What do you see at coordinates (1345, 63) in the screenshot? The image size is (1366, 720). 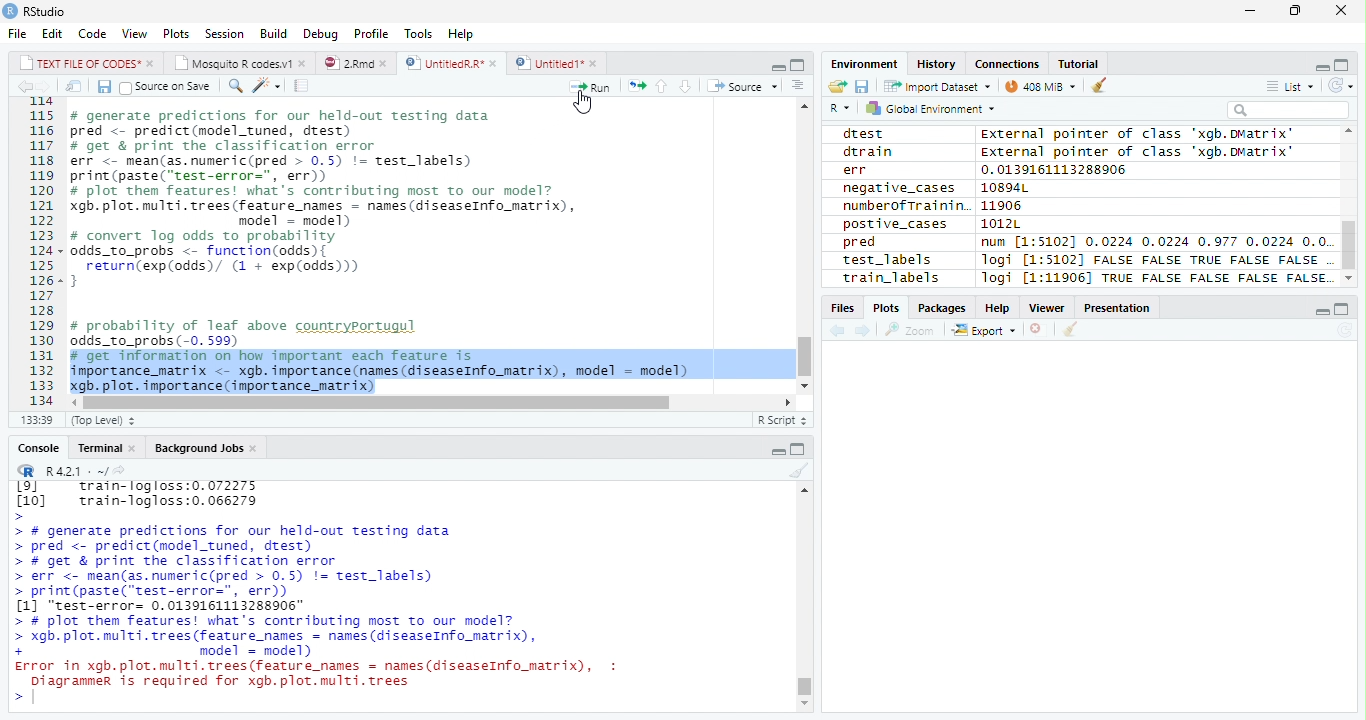 I see `Maximize` at bounding box center [1345, 63].